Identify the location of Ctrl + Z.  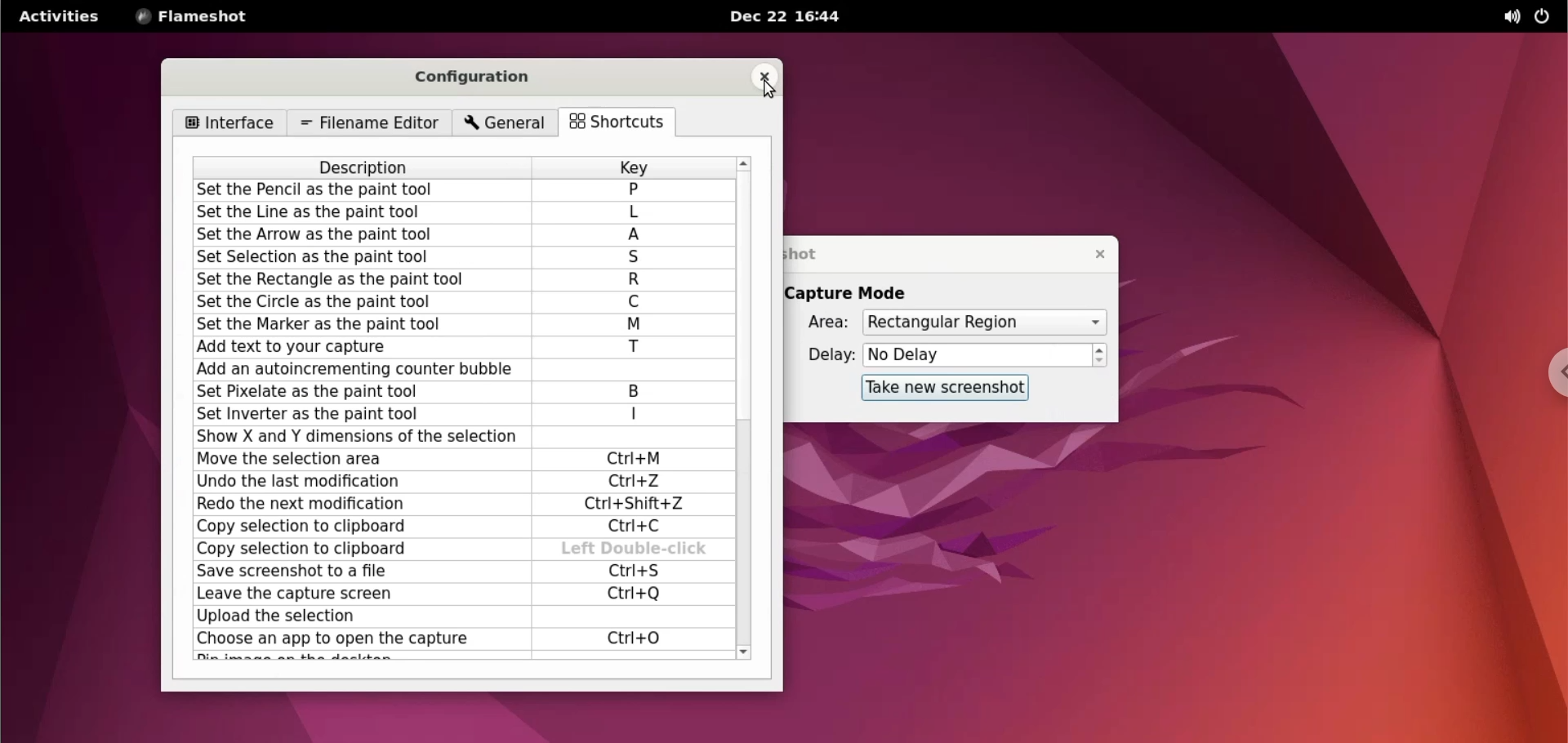
(635, 482).